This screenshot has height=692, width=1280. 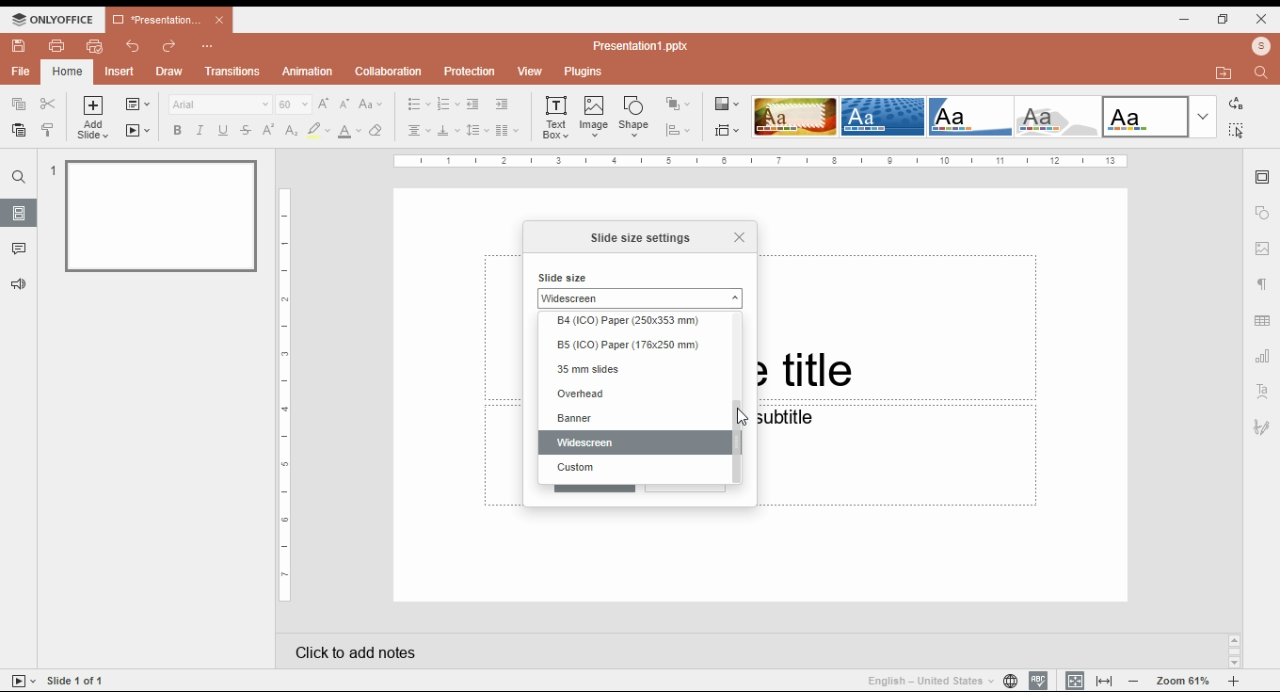 What do you see at coordinates (633, 393) in the screenshot?
I see `Overhead` at bounding box center [633, 393].